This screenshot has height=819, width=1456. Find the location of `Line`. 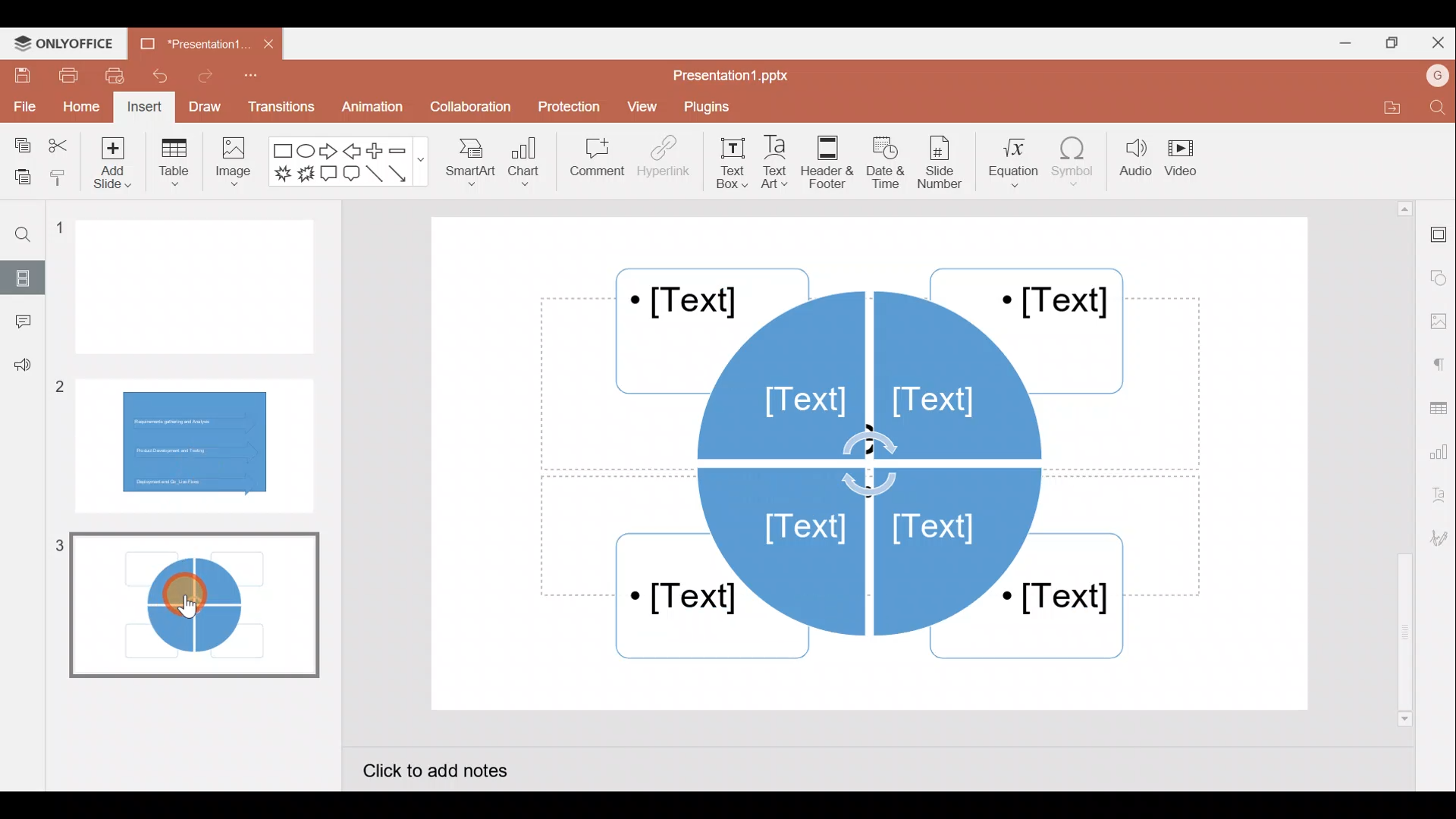

Line is located at coordinates (374, 174).